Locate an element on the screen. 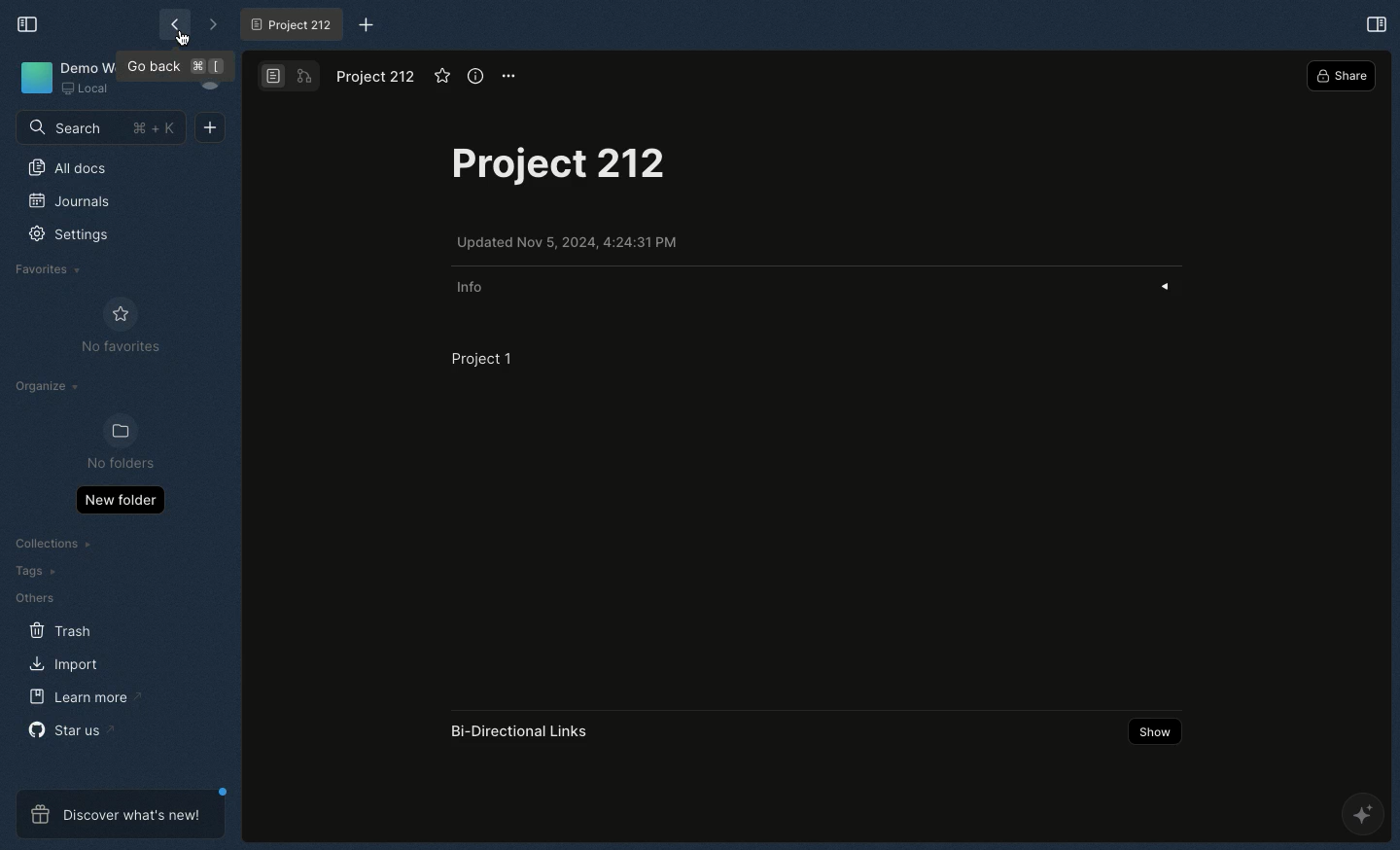  Others is located at coordinates (31, 597).